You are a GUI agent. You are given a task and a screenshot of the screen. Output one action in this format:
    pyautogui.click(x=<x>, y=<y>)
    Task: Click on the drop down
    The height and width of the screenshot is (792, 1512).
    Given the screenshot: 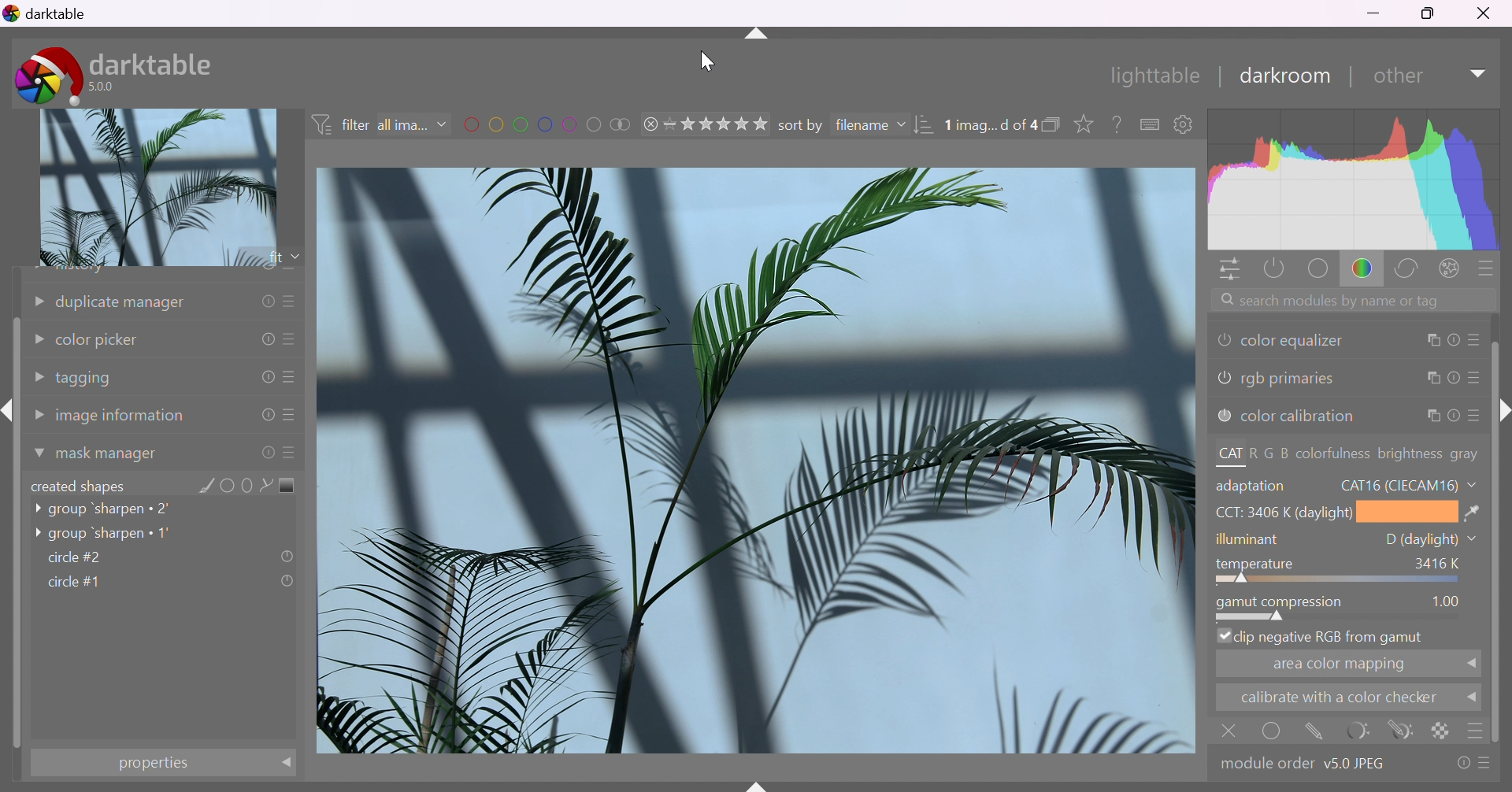 What is the action you would take?
    pyautogui.click(x=293, y=257)
    